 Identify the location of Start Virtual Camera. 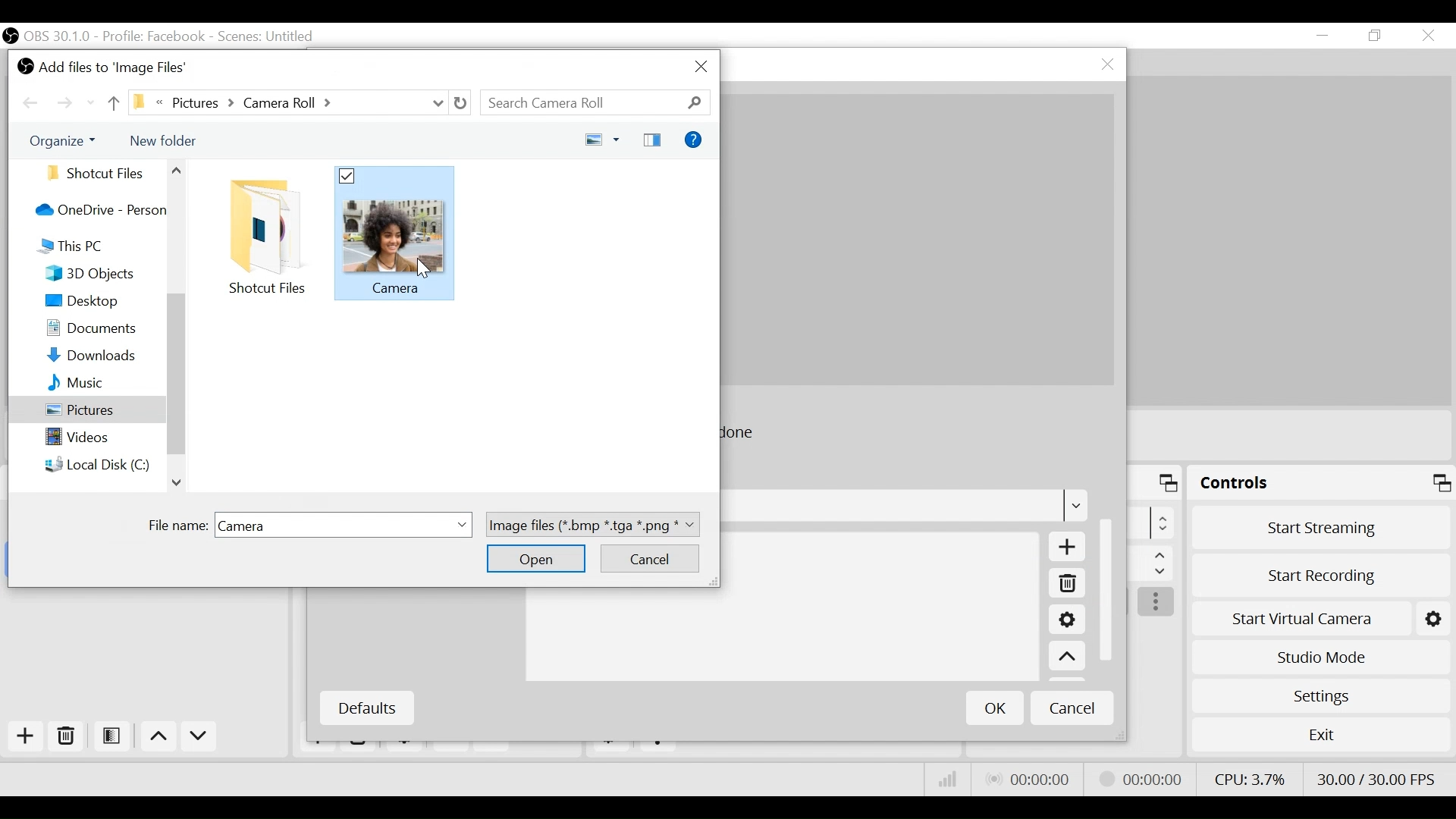
(1321, 616).